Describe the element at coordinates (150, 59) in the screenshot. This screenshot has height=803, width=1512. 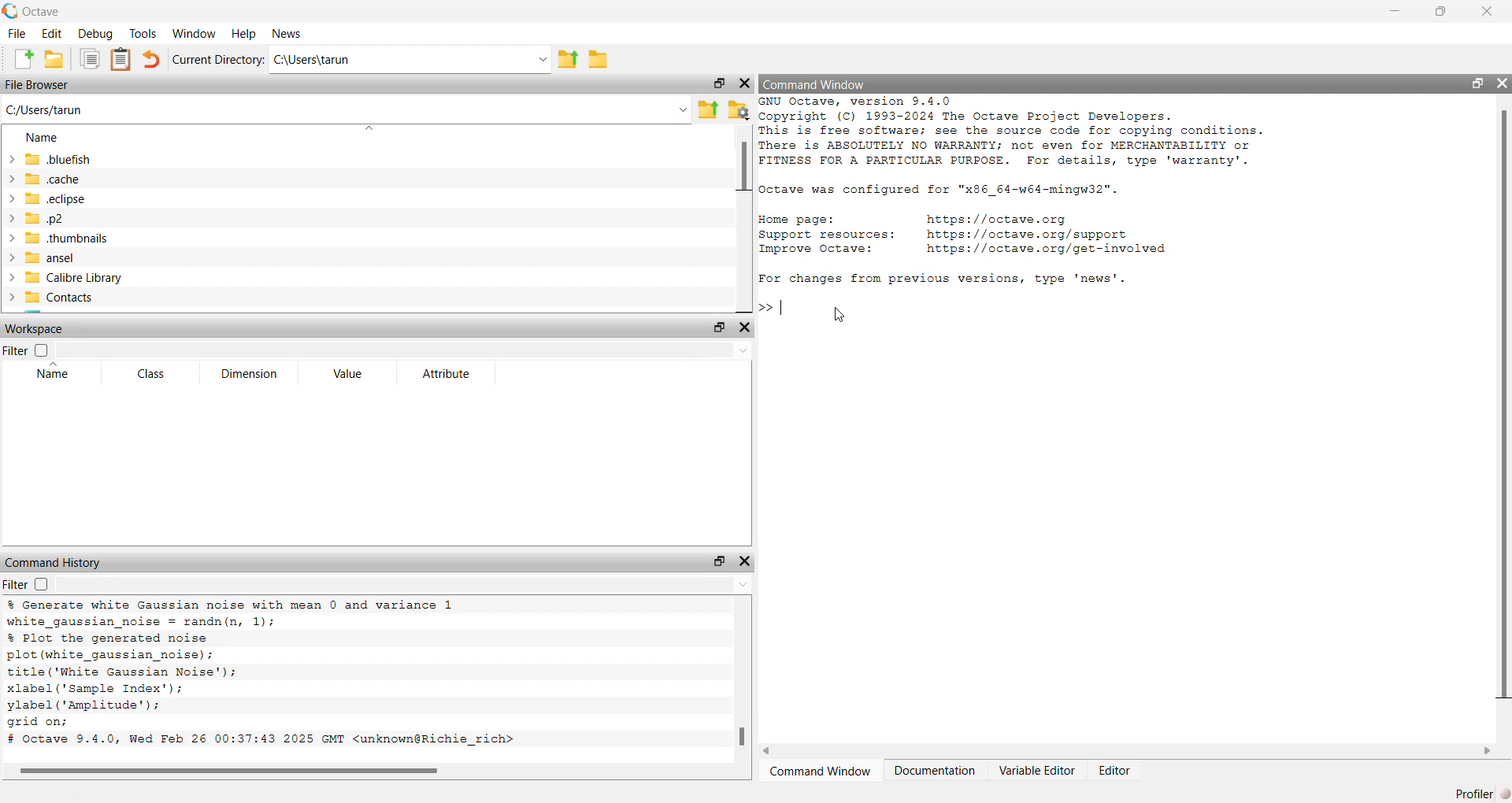
I see `undo` at that location.